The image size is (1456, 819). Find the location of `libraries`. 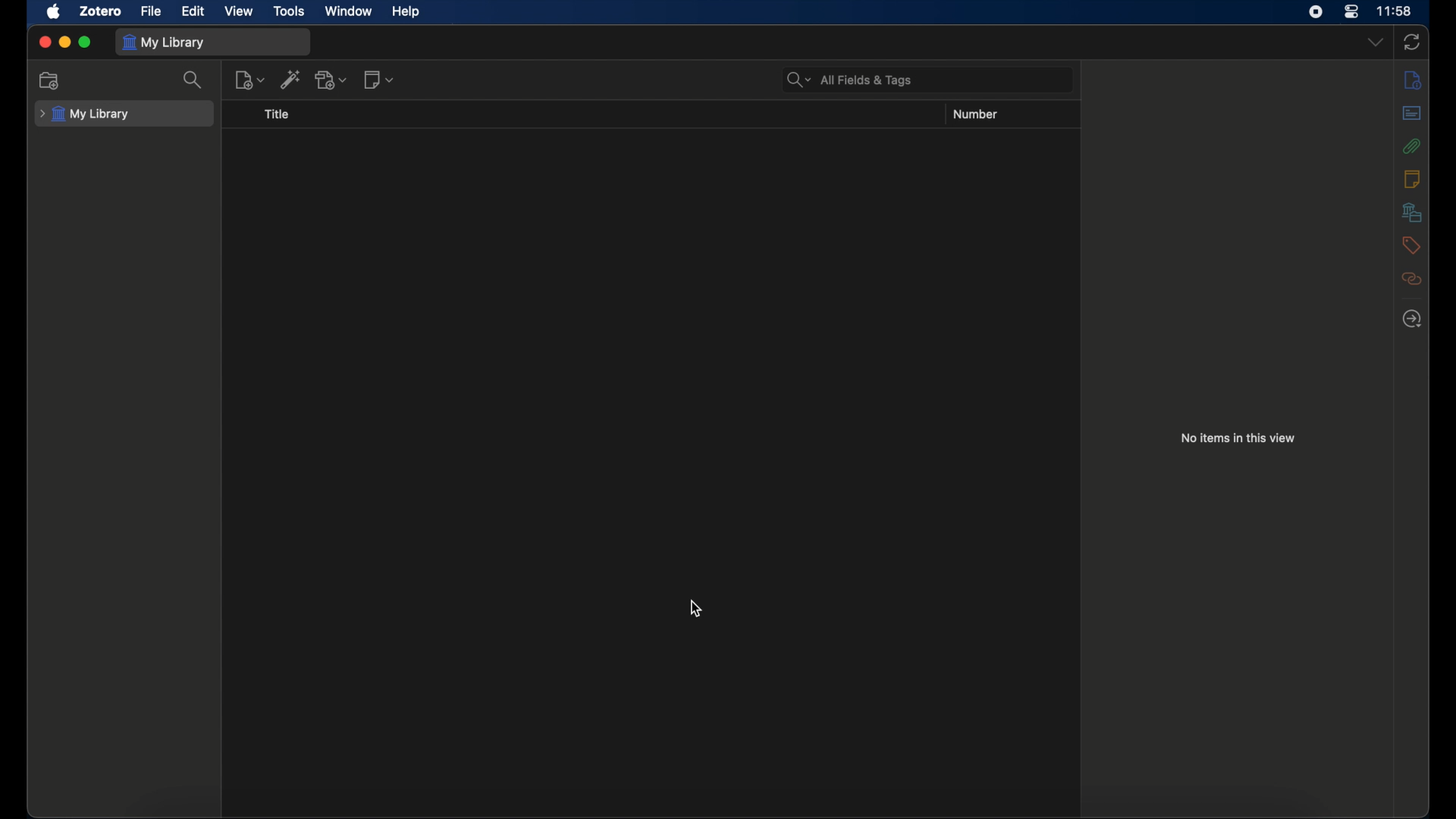

libraries is located at coordinates (1410, 212).